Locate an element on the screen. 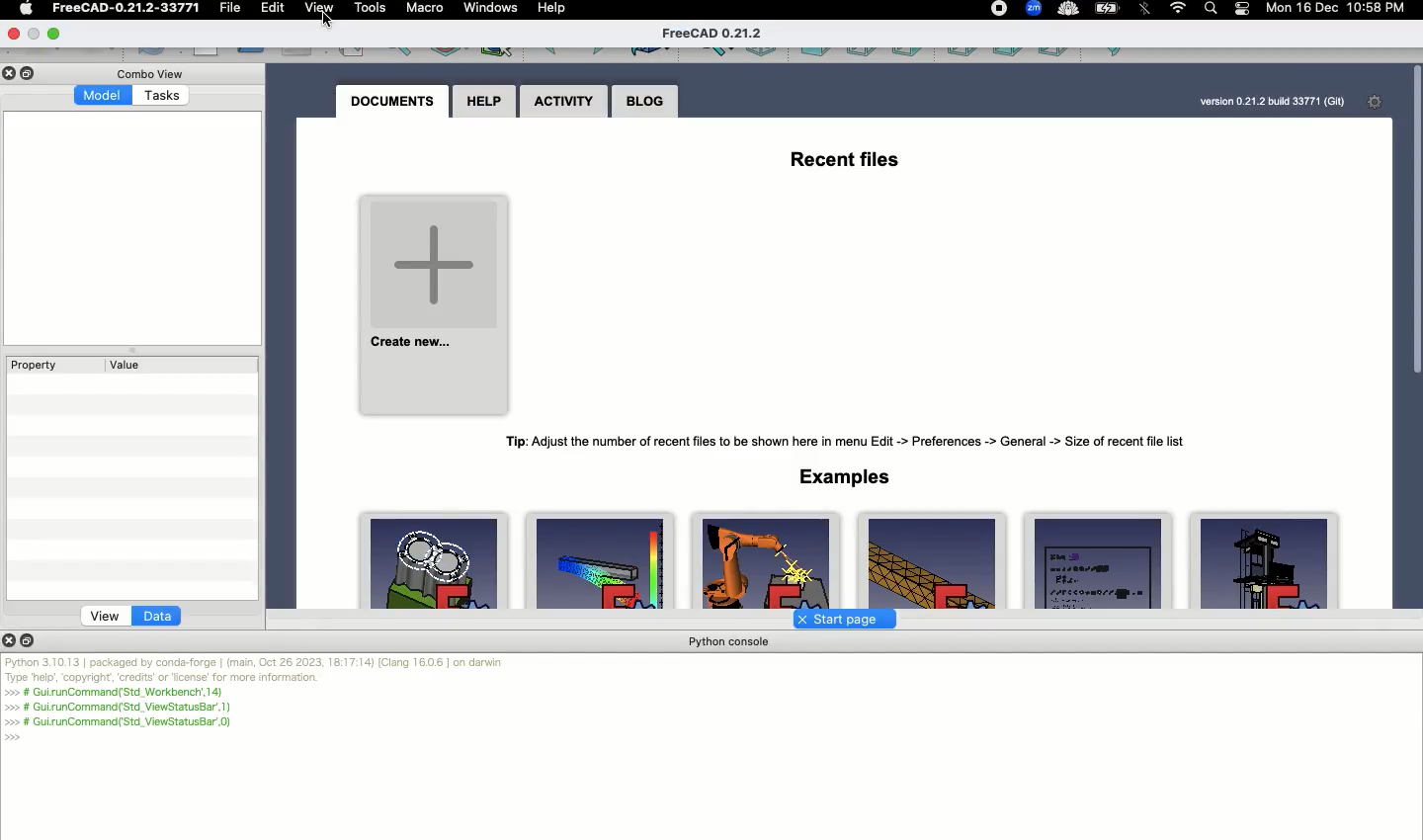 The image size is (1423, 840). View is located at coordinates (106, 616).